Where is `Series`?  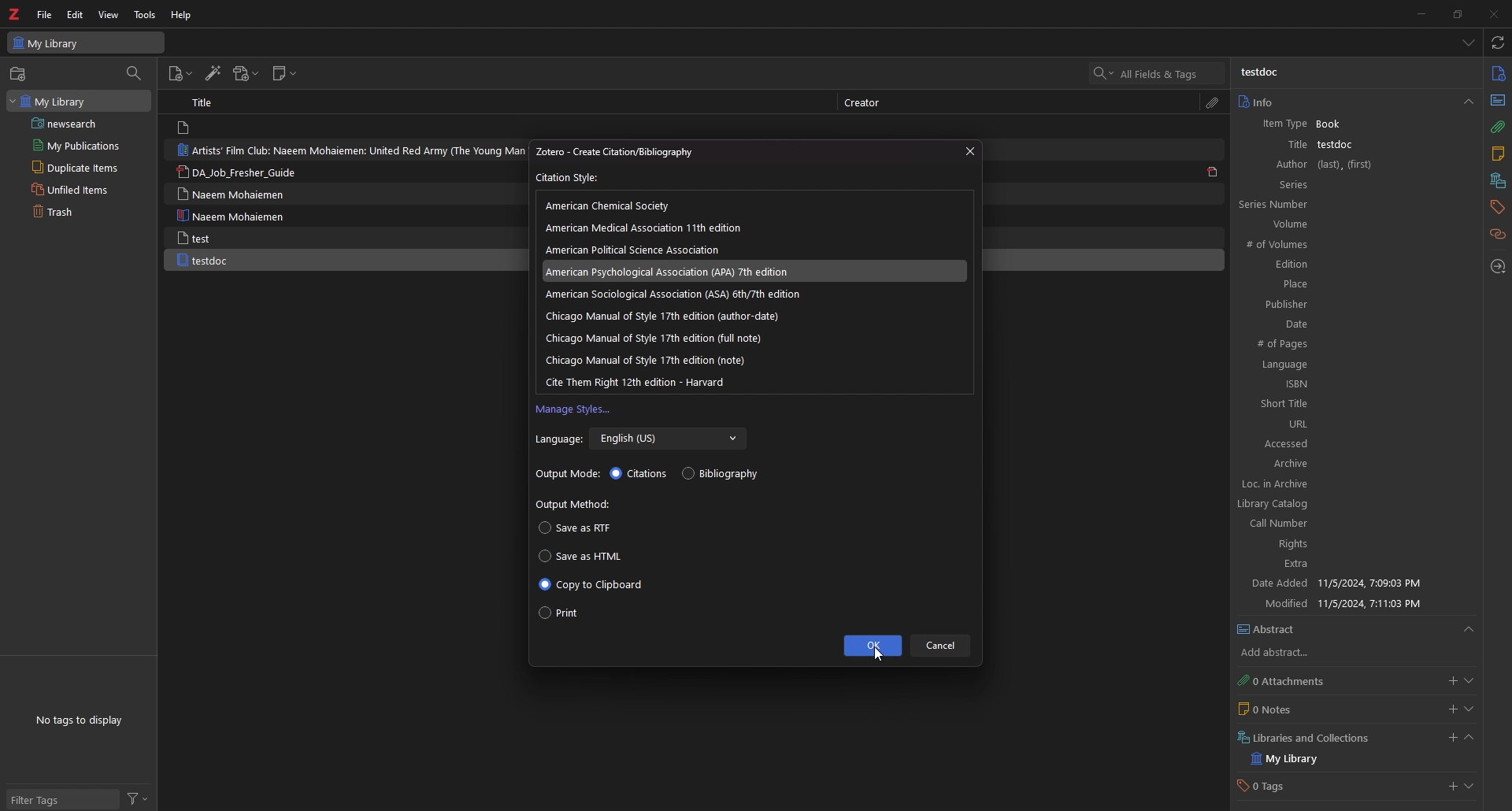 Series is located at coordinates (1353, 184).